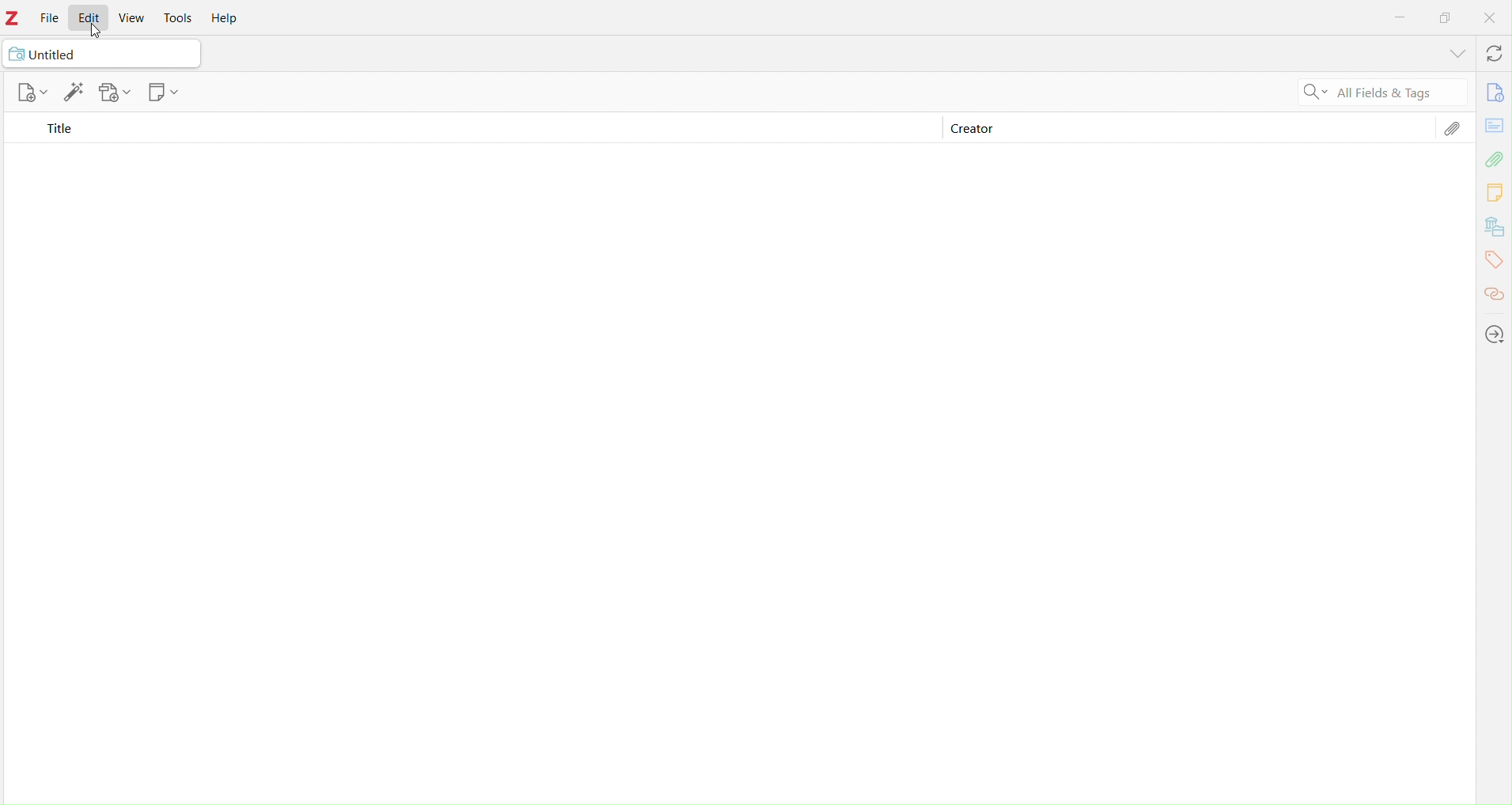  Describe the element at coordinates (116, 93) in the screenshot. I see `Save` at that location.